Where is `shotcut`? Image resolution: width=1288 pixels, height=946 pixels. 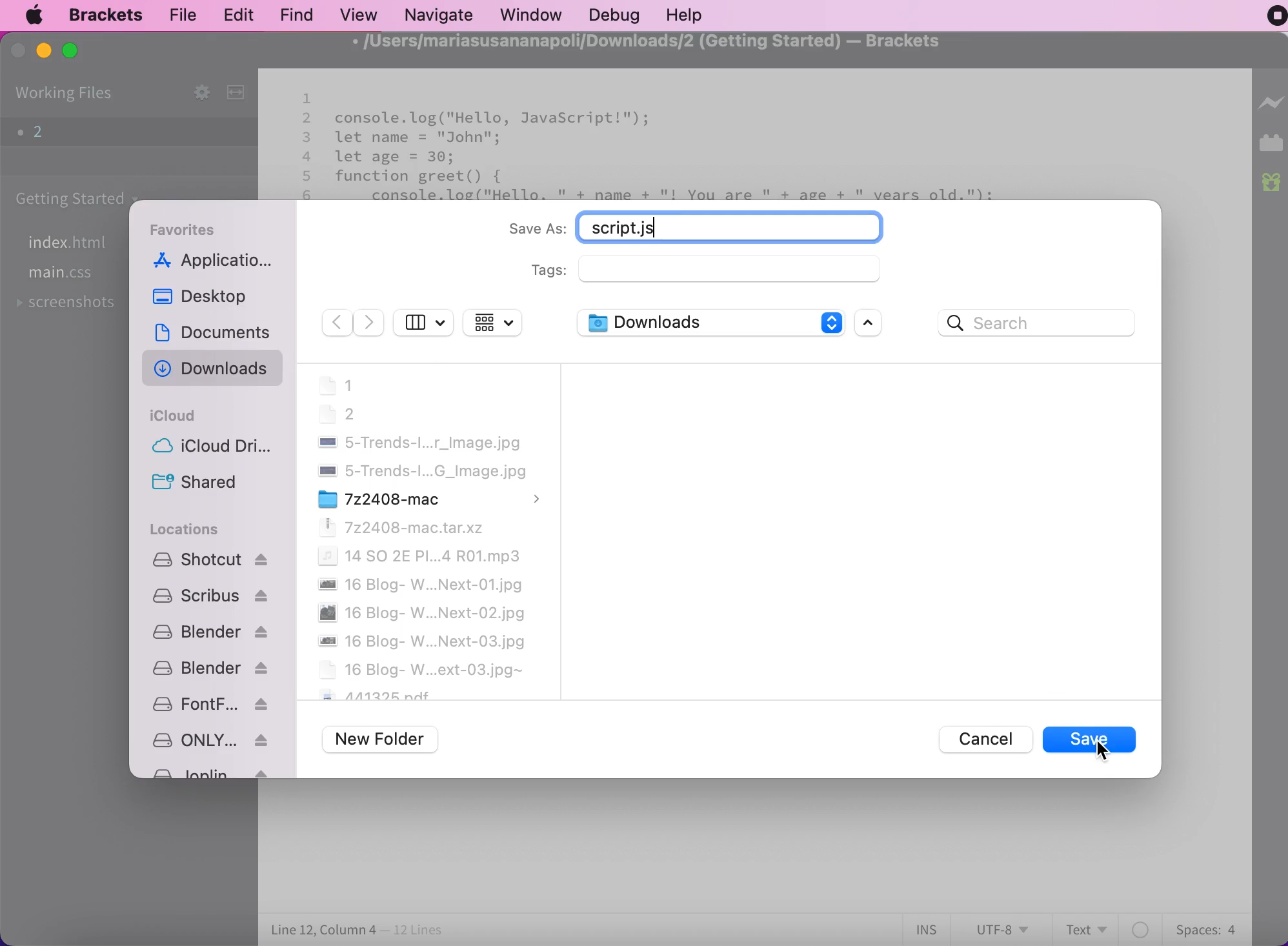
shotcut is located at coordinates (211, 559).